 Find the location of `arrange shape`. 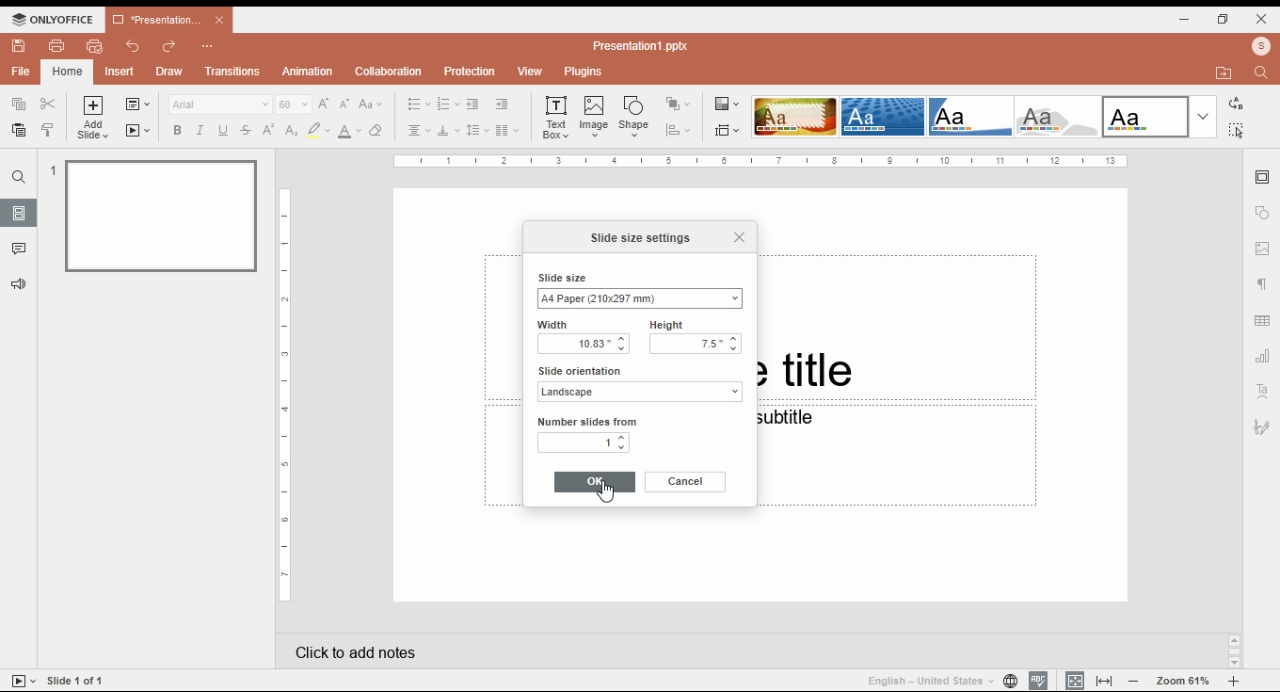

arrange shape is located at coordinates (677, 104).